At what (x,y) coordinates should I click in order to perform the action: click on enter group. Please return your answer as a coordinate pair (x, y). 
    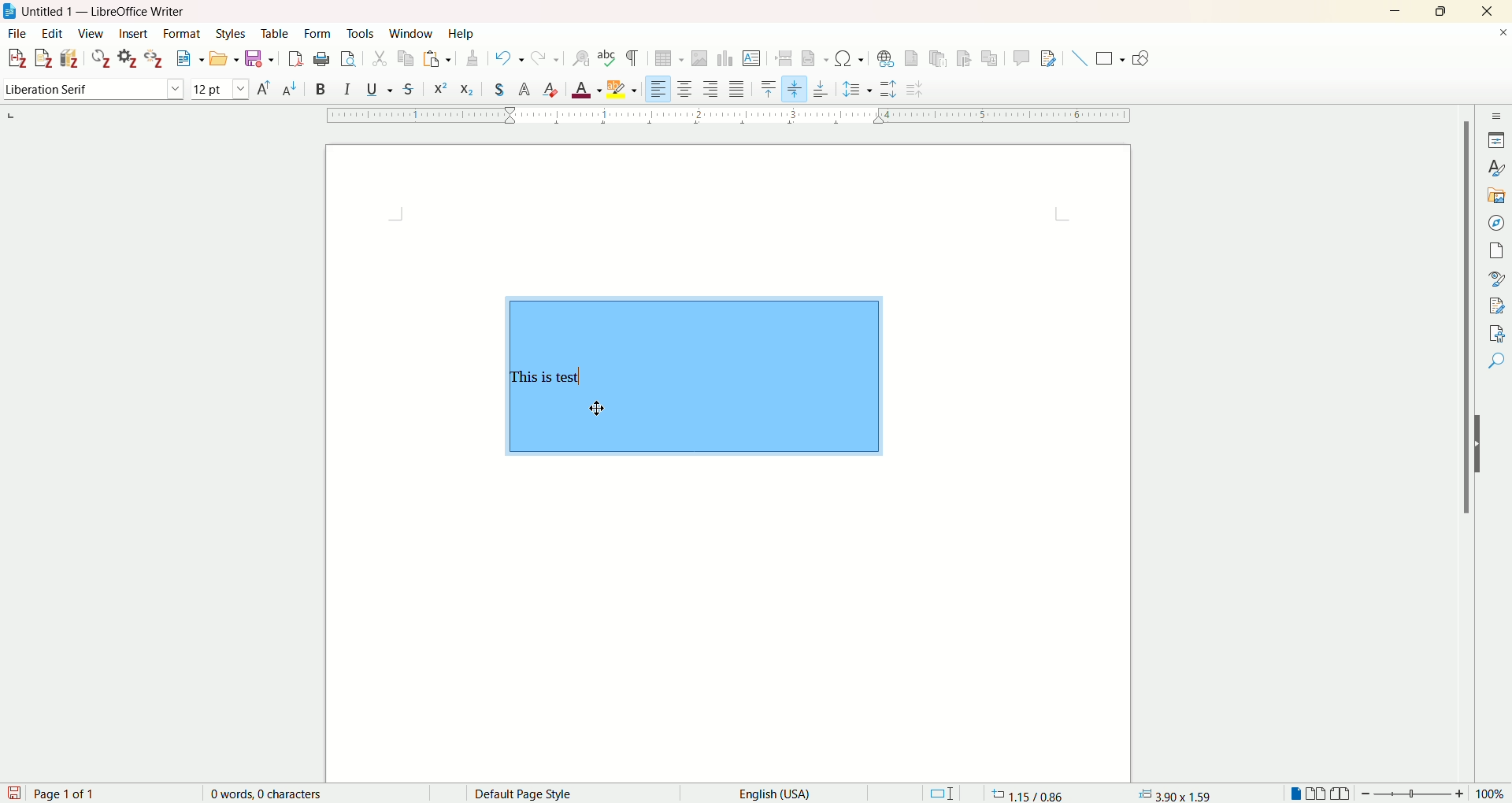
    Looking at the image, I should click on (1014, 90).